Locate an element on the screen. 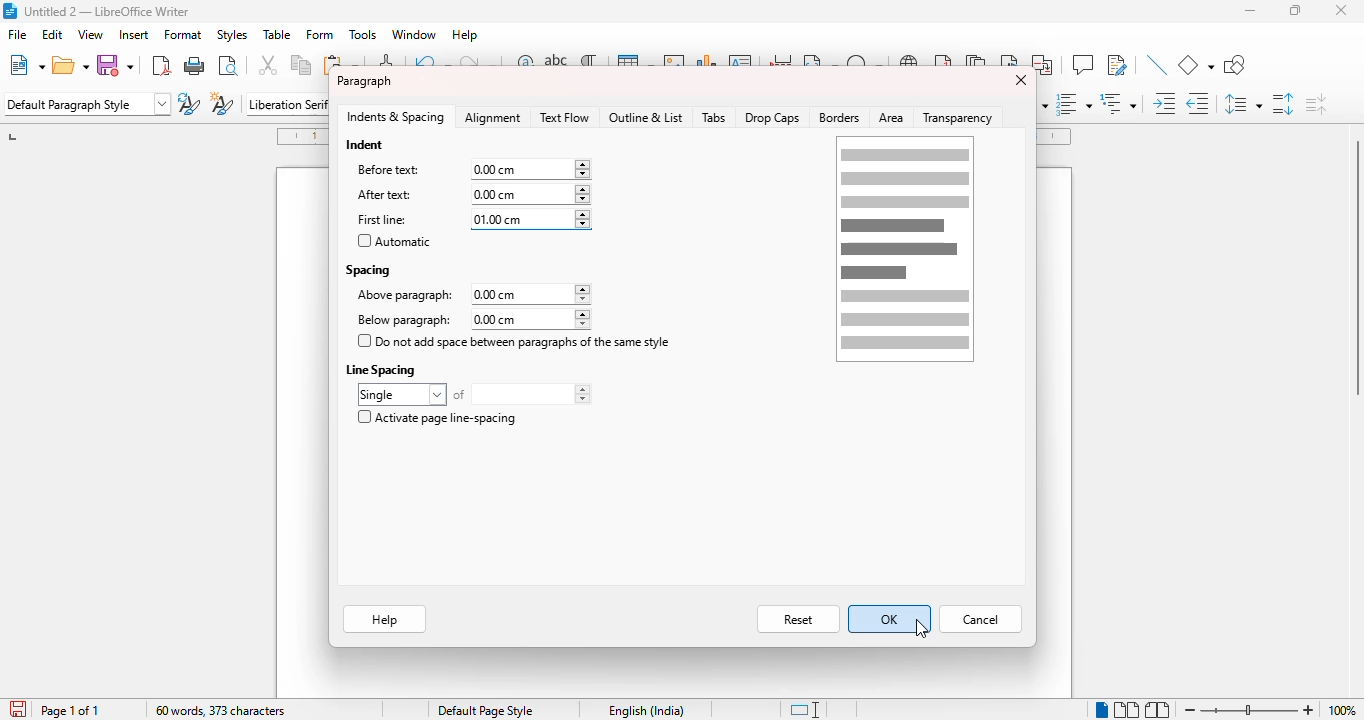 This screenshot has height=720, width=1364. before text: 0.00 cm is located at coordinates (471, 169).